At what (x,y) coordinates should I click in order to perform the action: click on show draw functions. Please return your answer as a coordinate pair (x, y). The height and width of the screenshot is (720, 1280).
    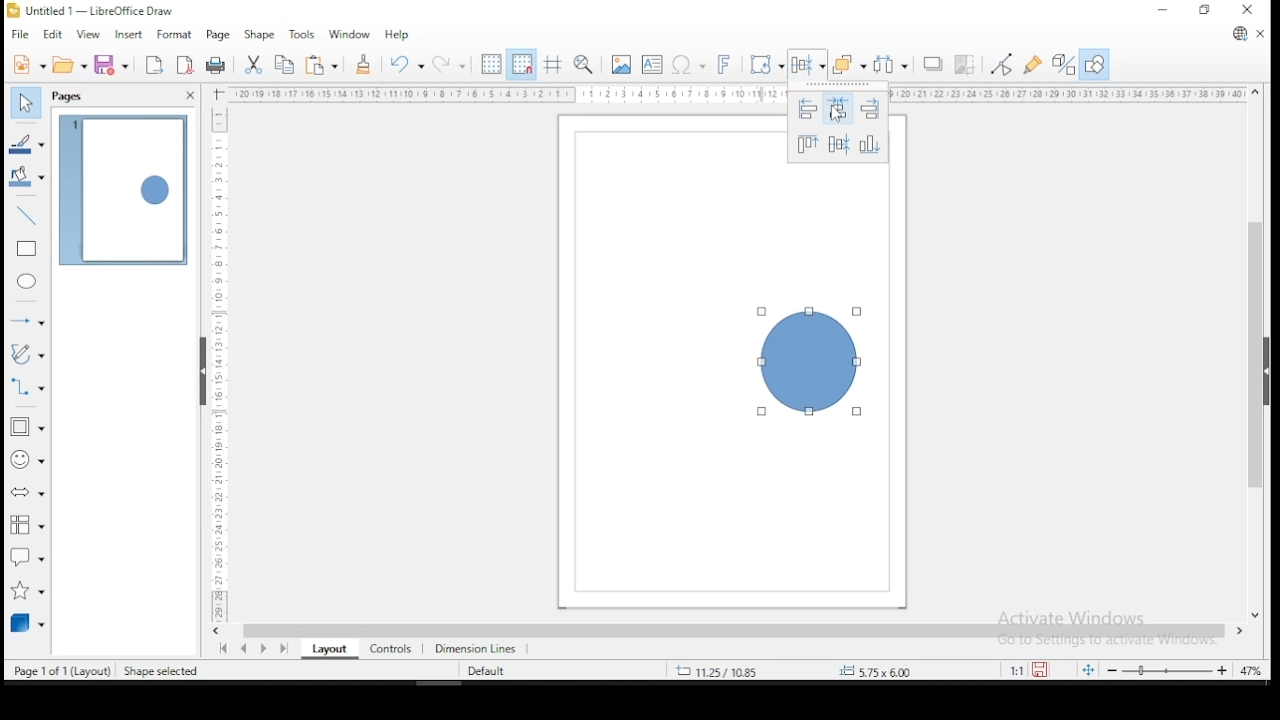
    Looking at the image, I should click on (1095, 65).